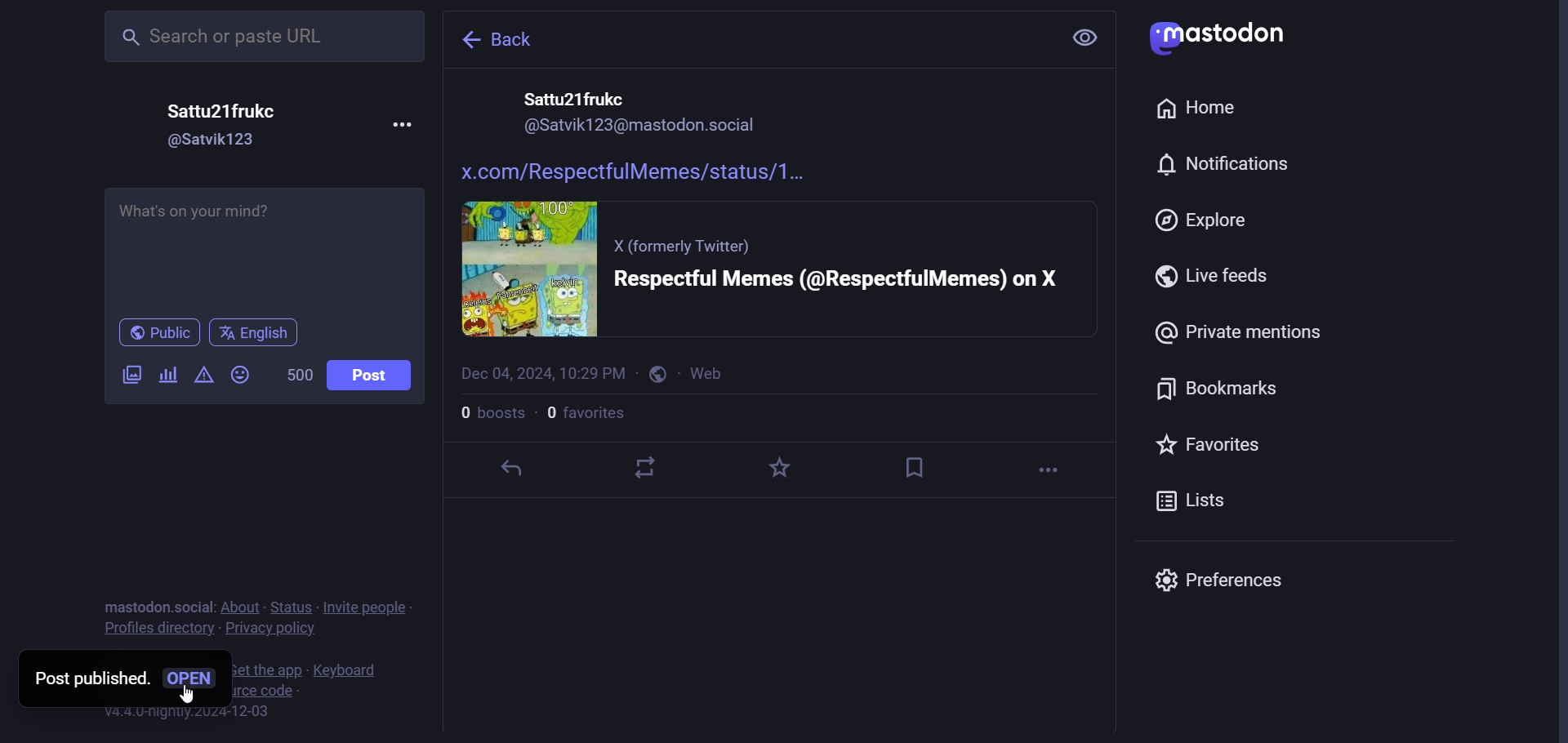 The width and height of the screenshot is (1568, 743). What do you see at coordinates (292, 372) in the screenshot?
I see `500` at bounding box center [292, 372].